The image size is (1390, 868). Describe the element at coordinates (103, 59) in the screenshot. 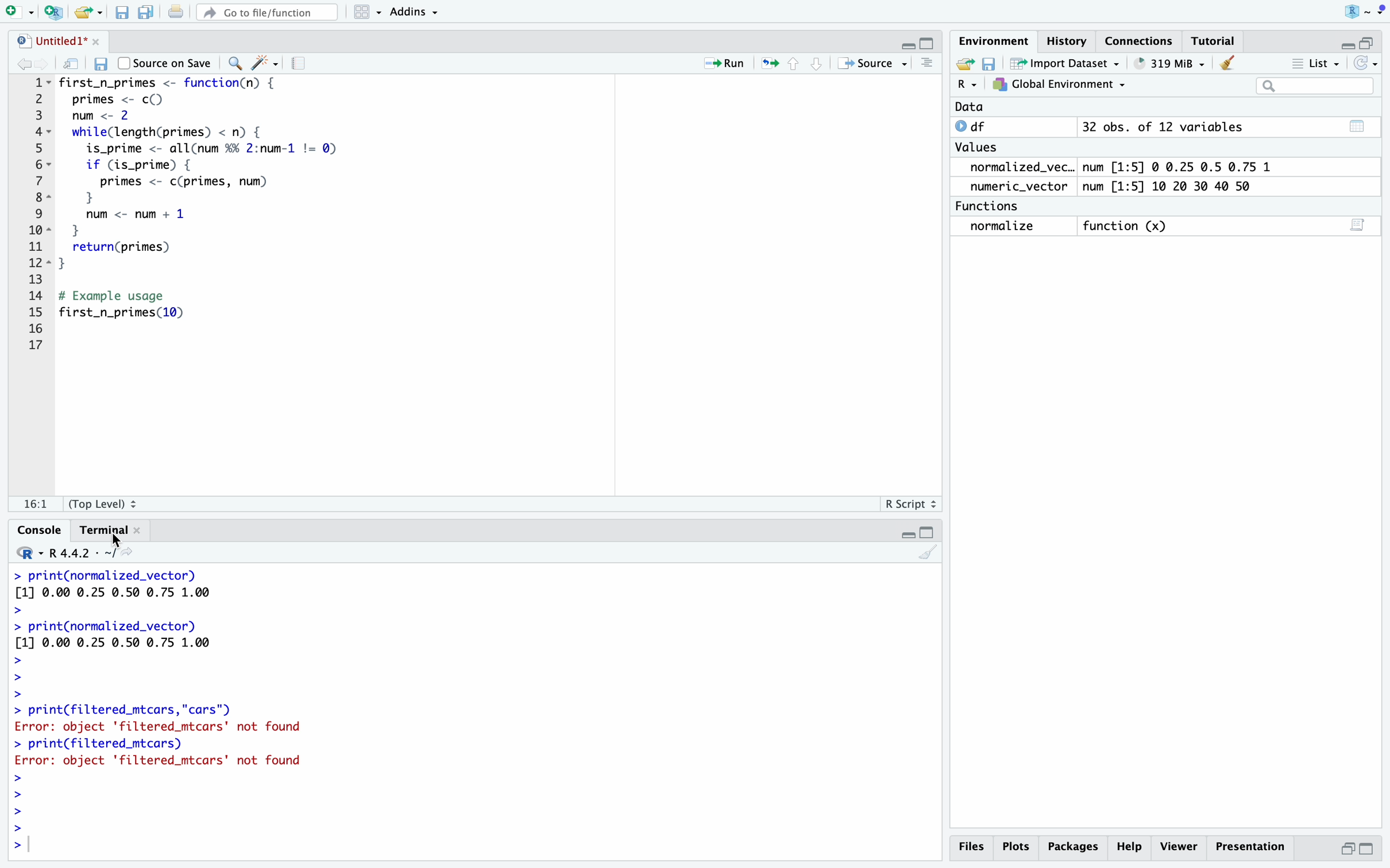

I see `save` at that location.